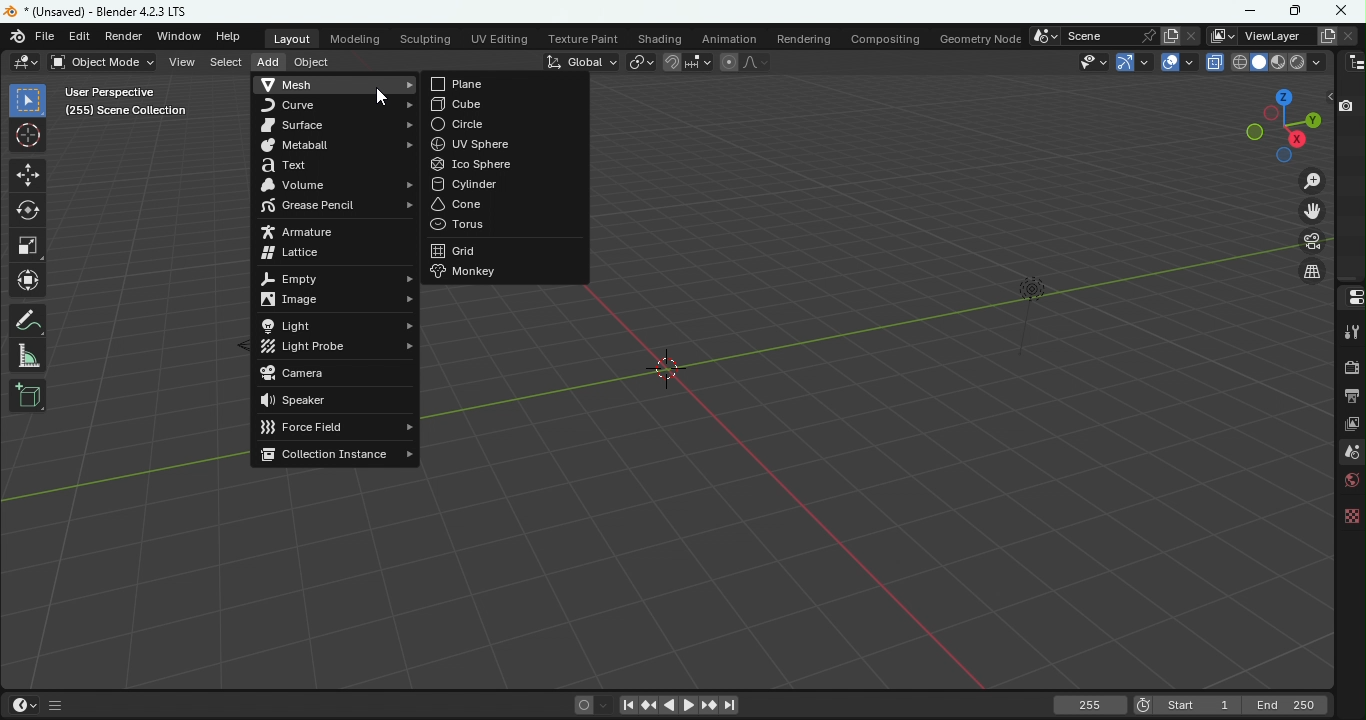 Image resolution: width=1366 pixels, height=720 pixels. What do you see at coordinates (580, 37) in the screenshot?
I see `Texture paint` at bounding box center [580, 37].